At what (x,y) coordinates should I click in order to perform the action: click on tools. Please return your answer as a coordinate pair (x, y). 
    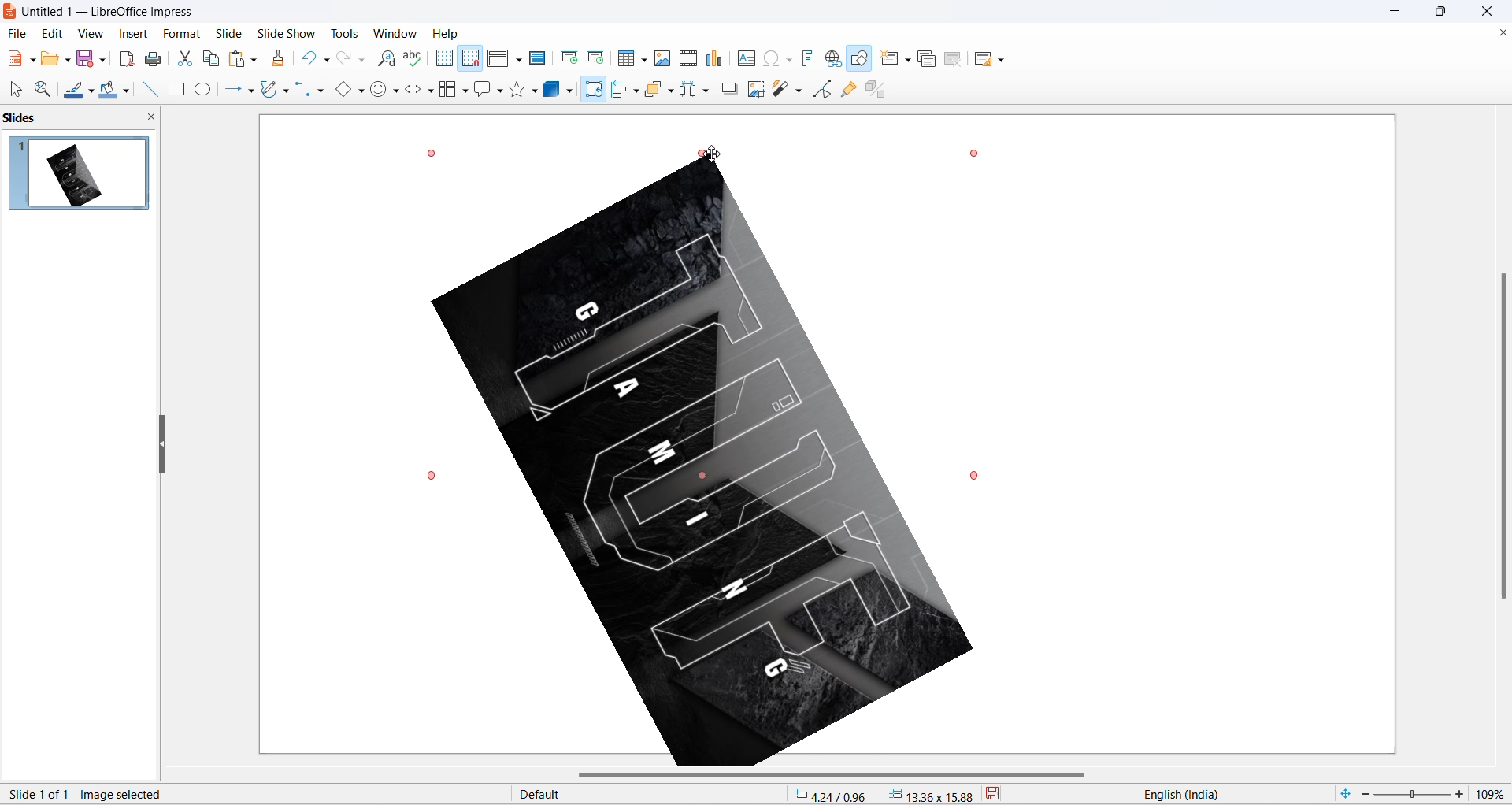
    Looking at the image, I should click on (350, 33).